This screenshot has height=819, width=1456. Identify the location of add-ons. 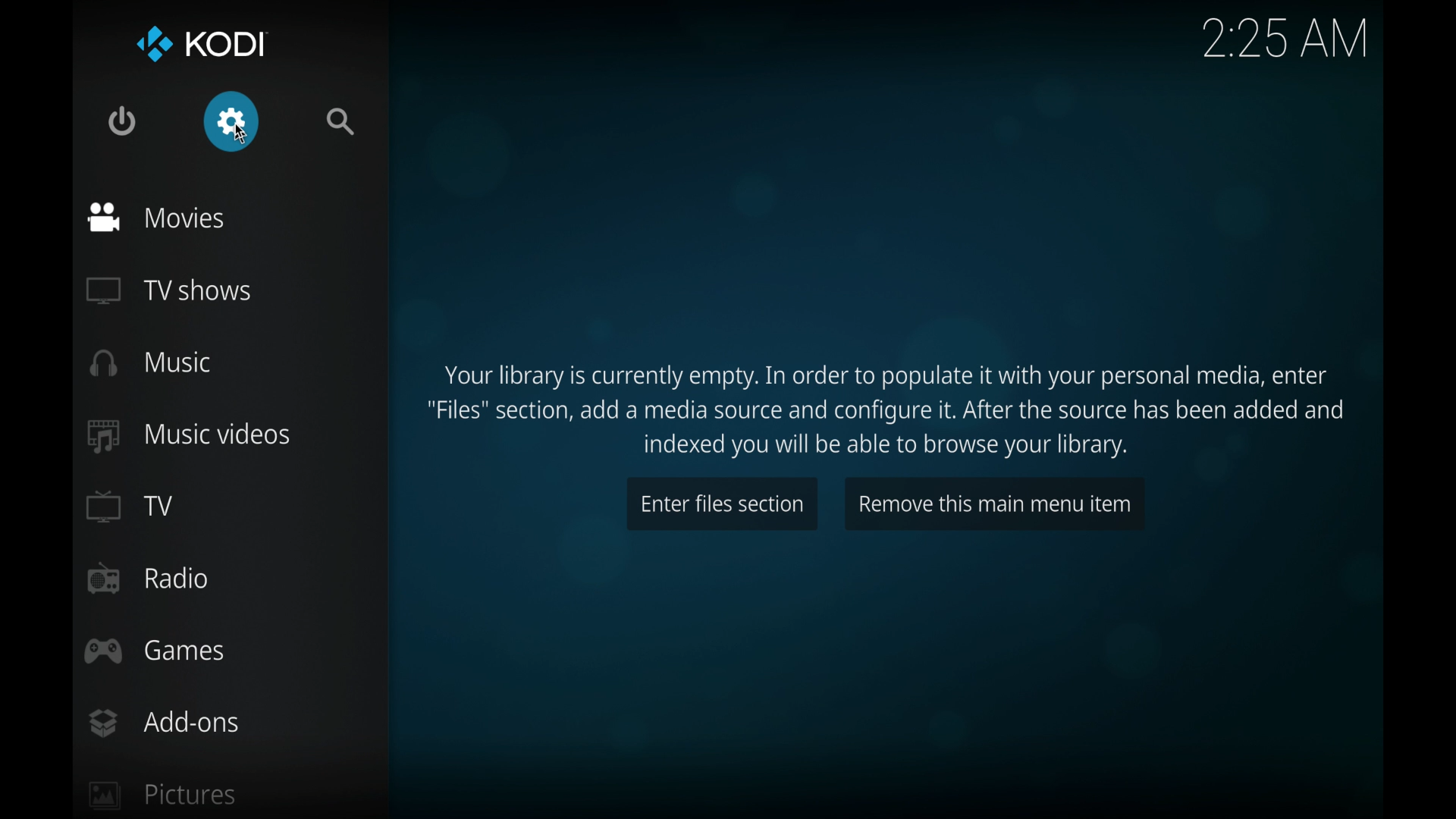
(162, 722).